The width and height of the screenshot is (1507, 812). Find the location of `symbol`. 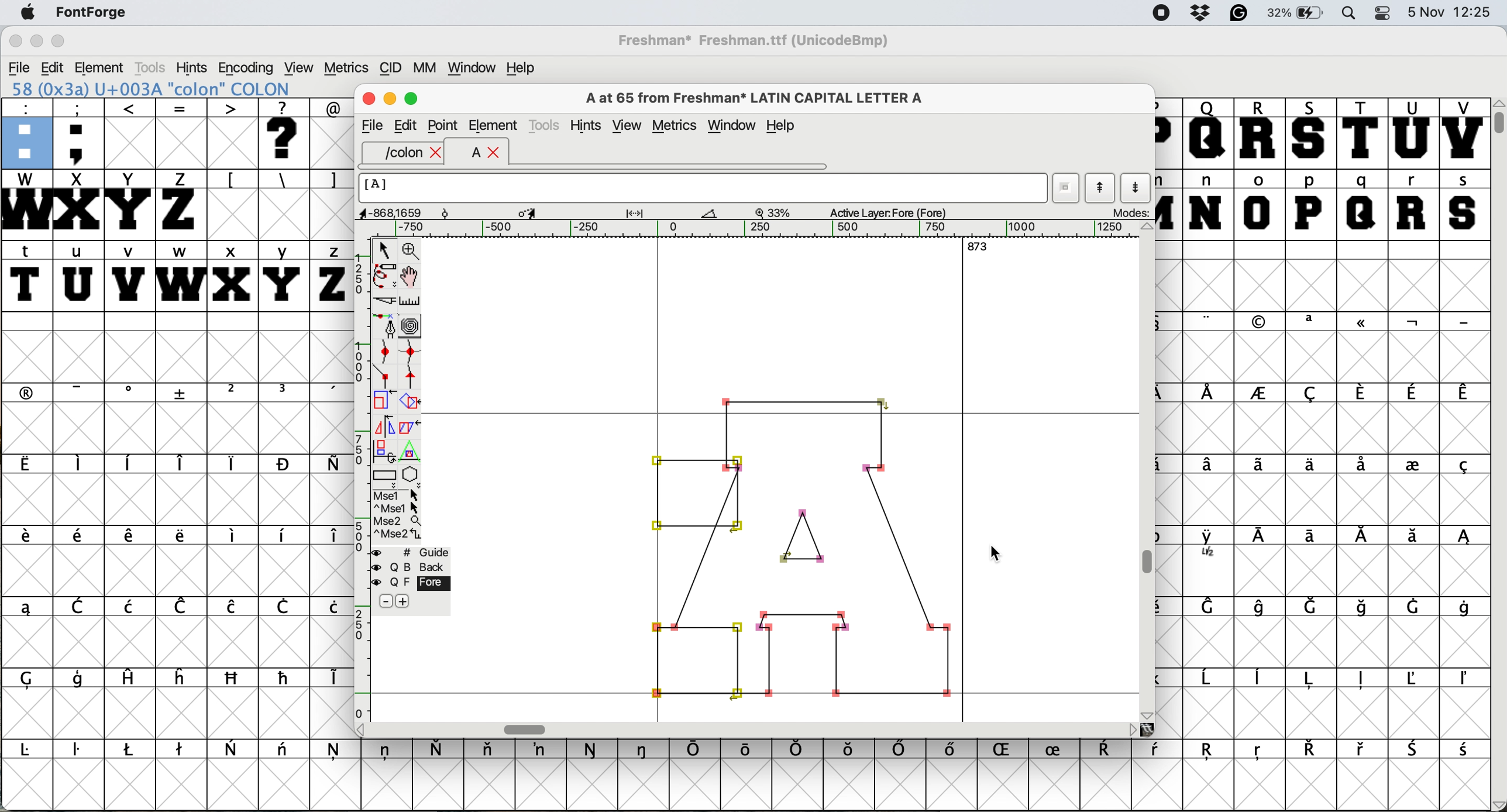

symbol is located at coordinates (287, 536).